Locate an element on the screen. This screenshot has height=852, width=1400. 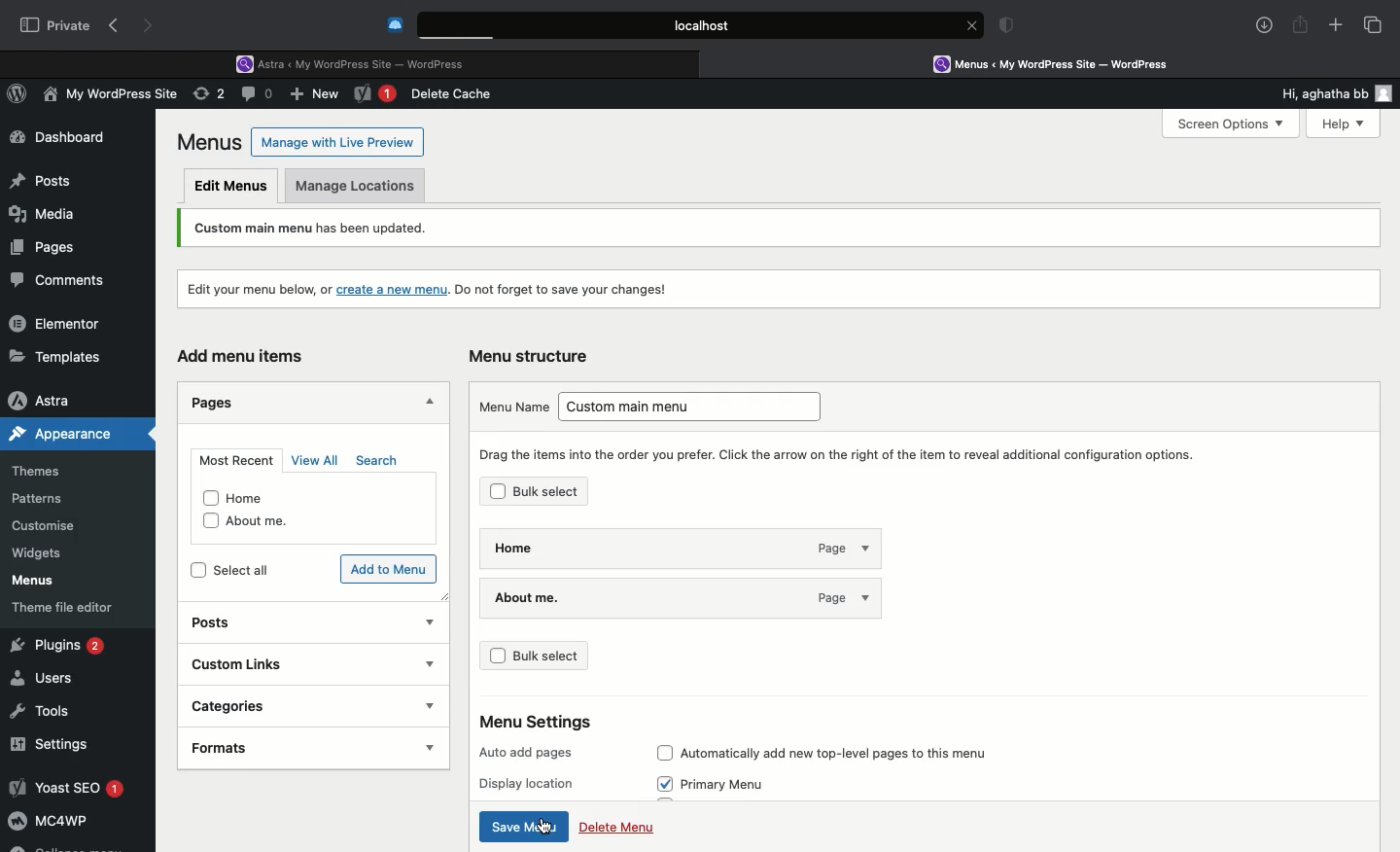
checkbox is located at coordinates (197, 571).